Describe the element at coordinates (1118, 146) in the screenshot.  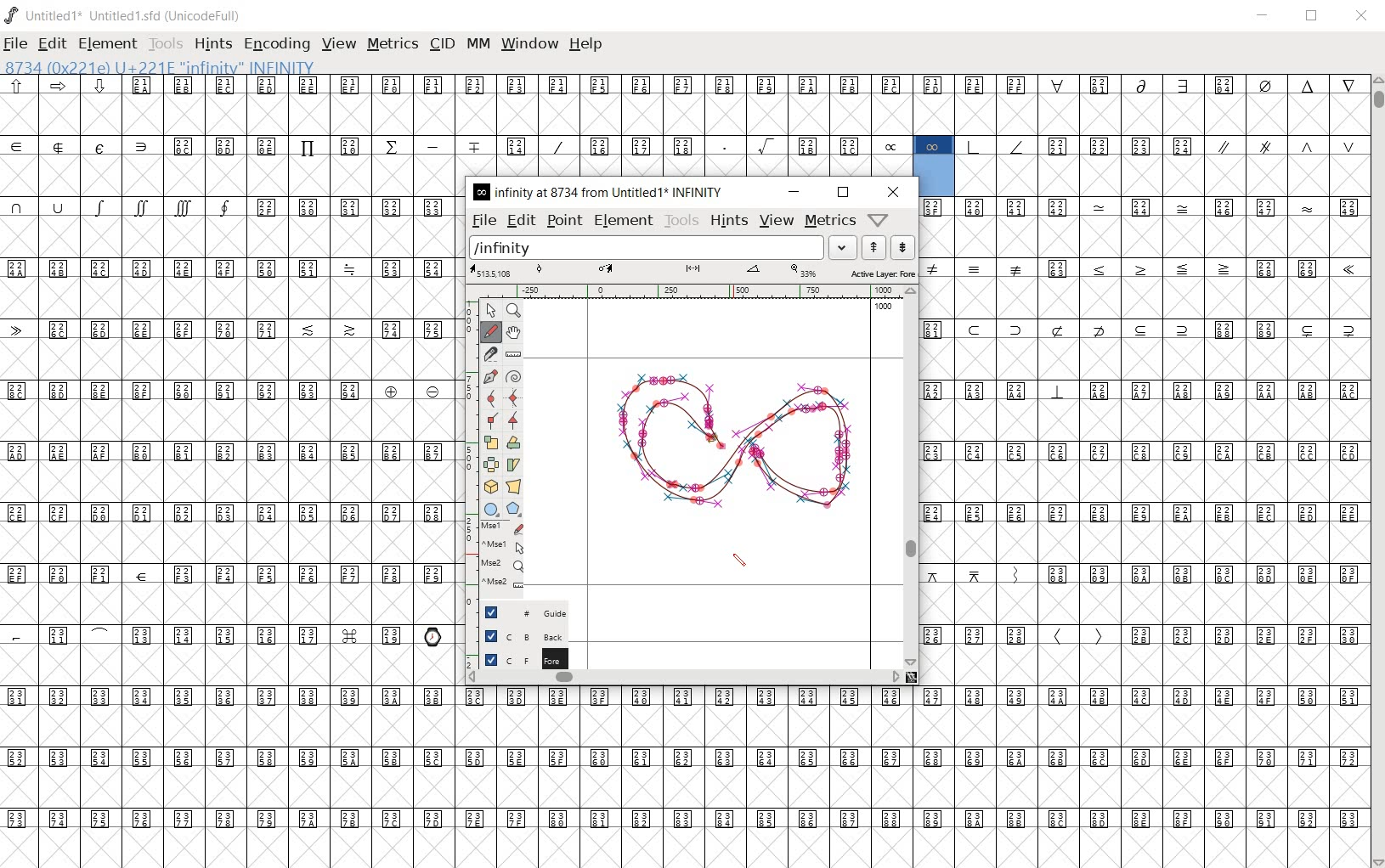
I see `Unicode code points` at that location.